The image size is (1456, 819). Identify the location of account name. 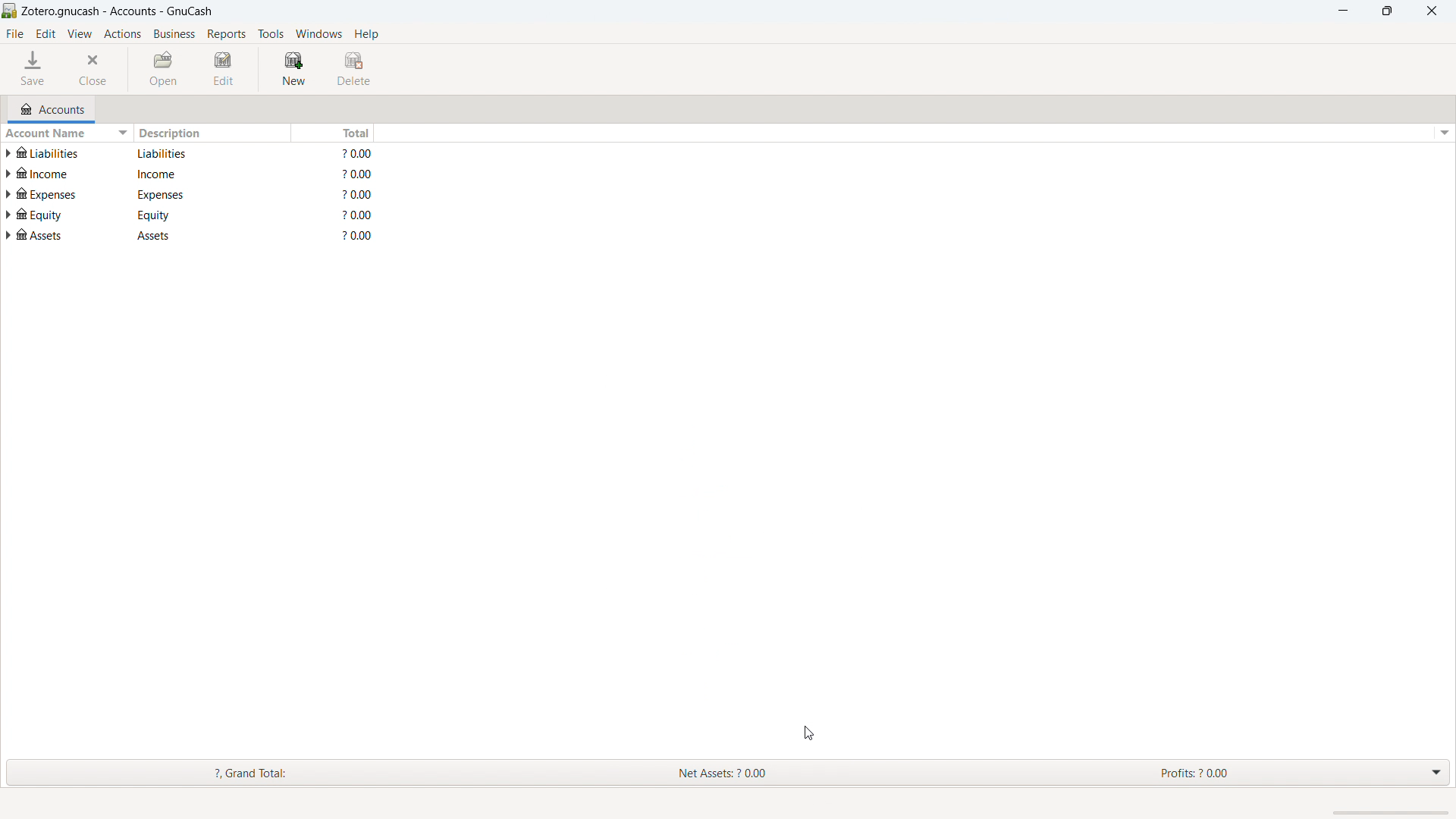
(55, 217).